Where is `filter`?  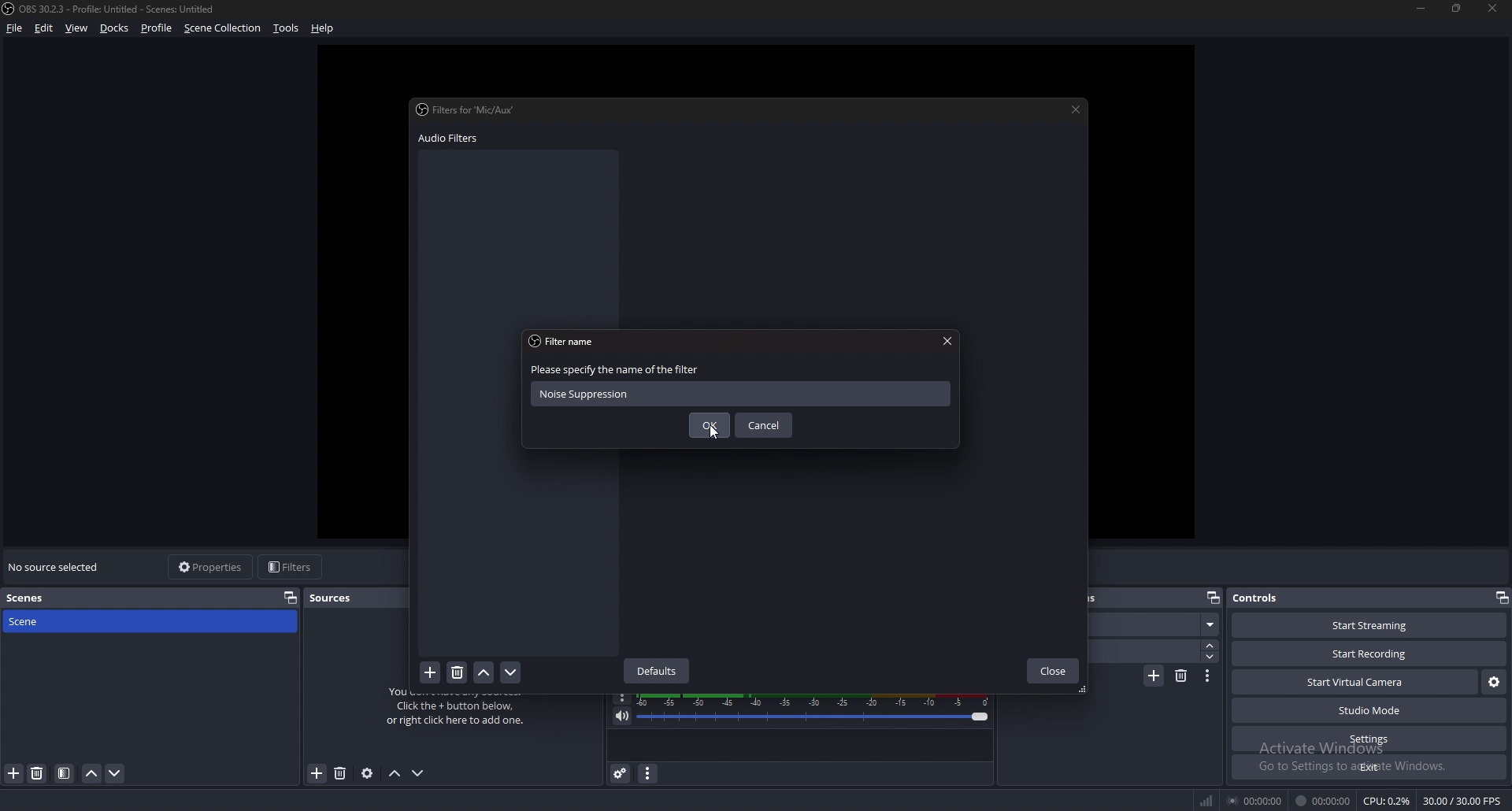
filter is located at coordinates (65, 773).